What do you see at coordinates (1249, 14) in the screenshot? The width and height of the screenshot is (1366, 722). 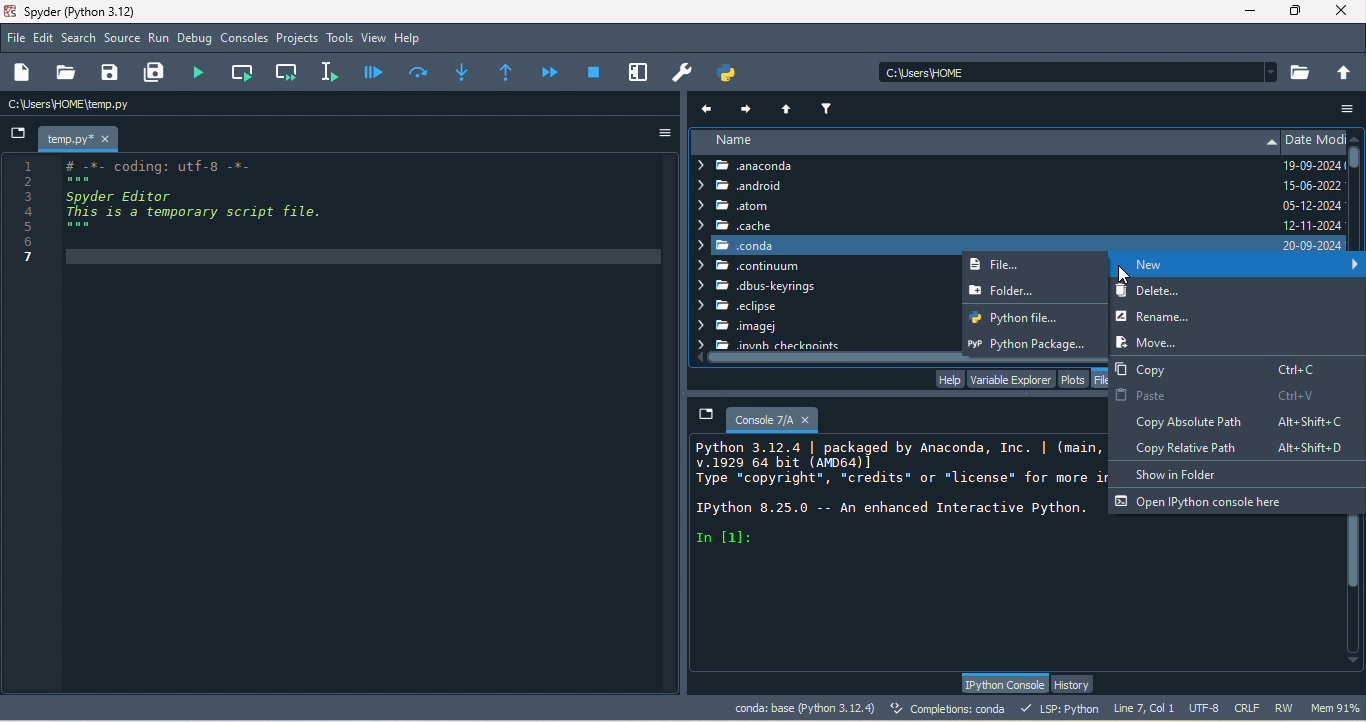 I see `minimize` at bounding box center [1249, 14].